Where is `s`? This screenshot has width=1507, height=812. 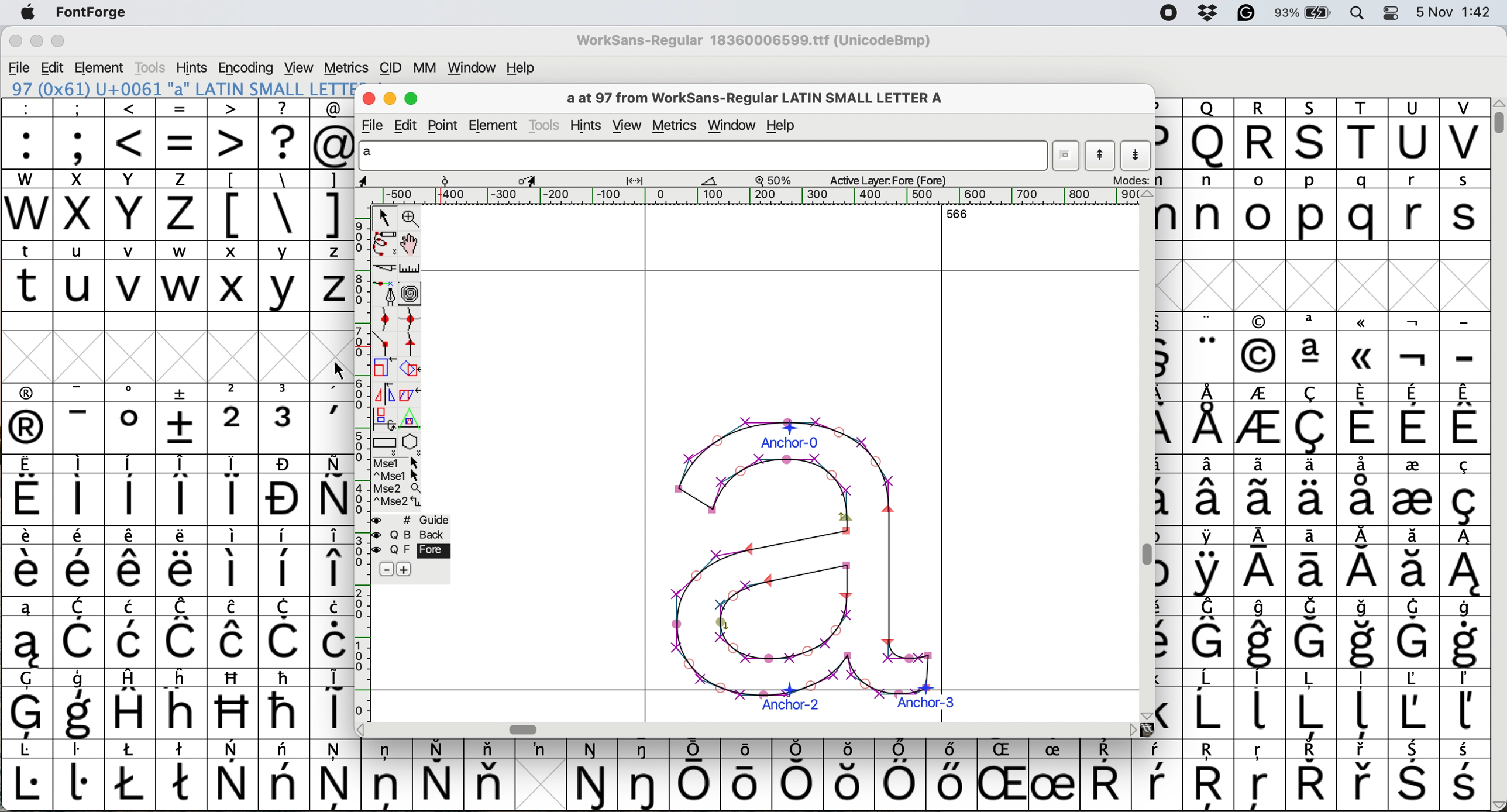
s is located at coordinates (1465, 205).